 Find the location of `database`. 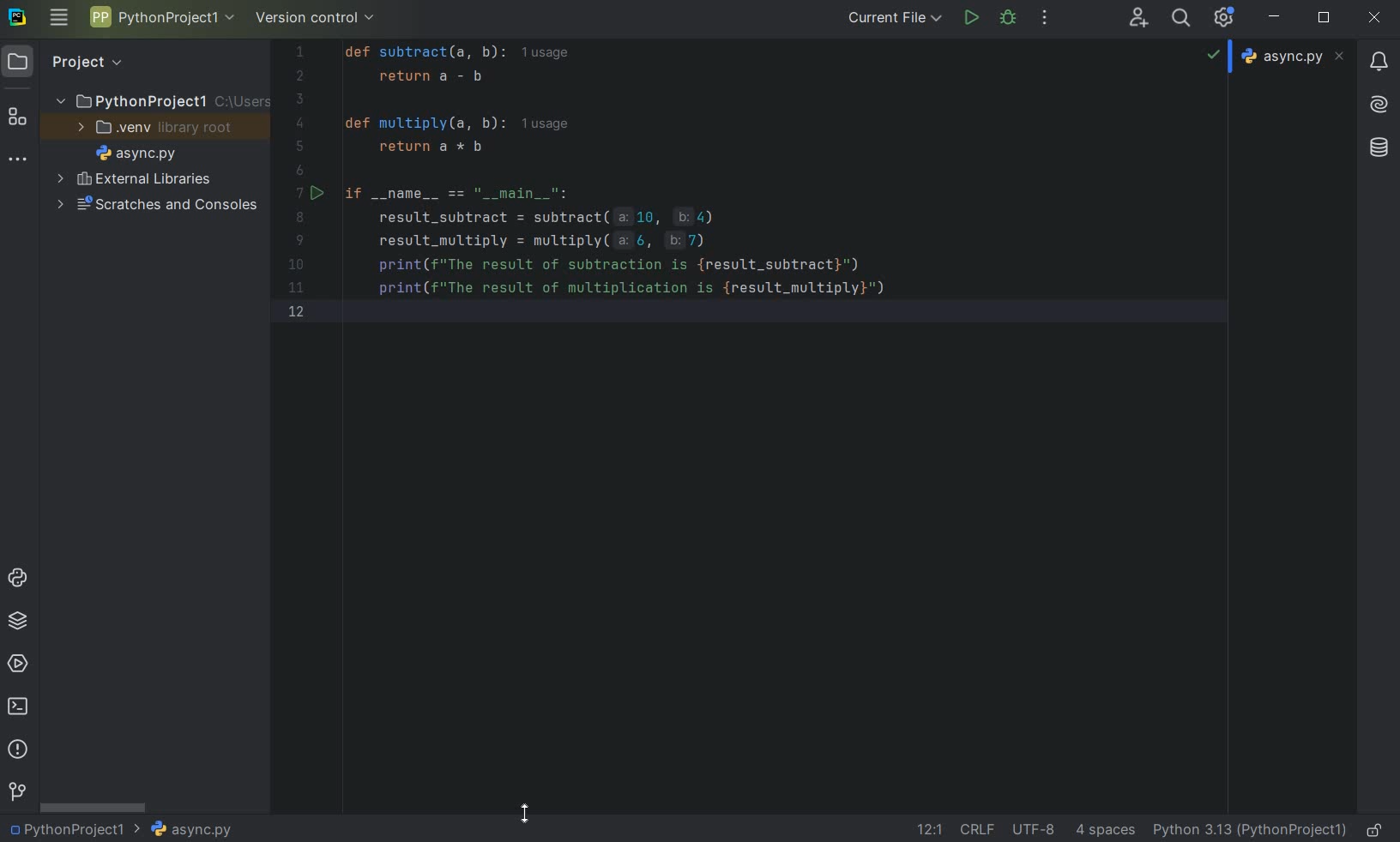

database is located at coordinates (1378, 148).